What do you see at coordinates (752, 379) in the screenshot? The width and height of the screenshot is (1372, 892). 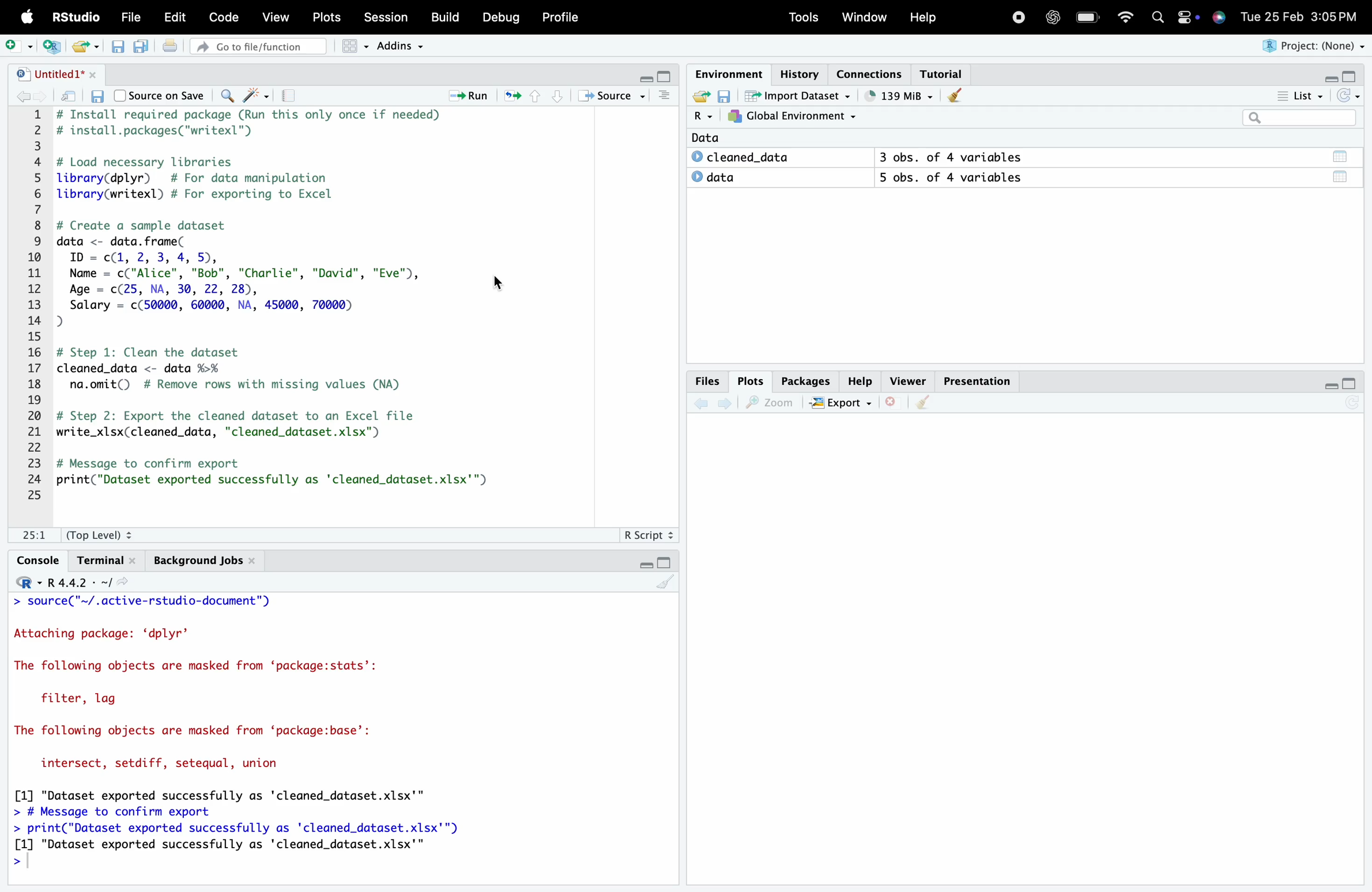 I see `Plots` at bounding box center [752, 379].